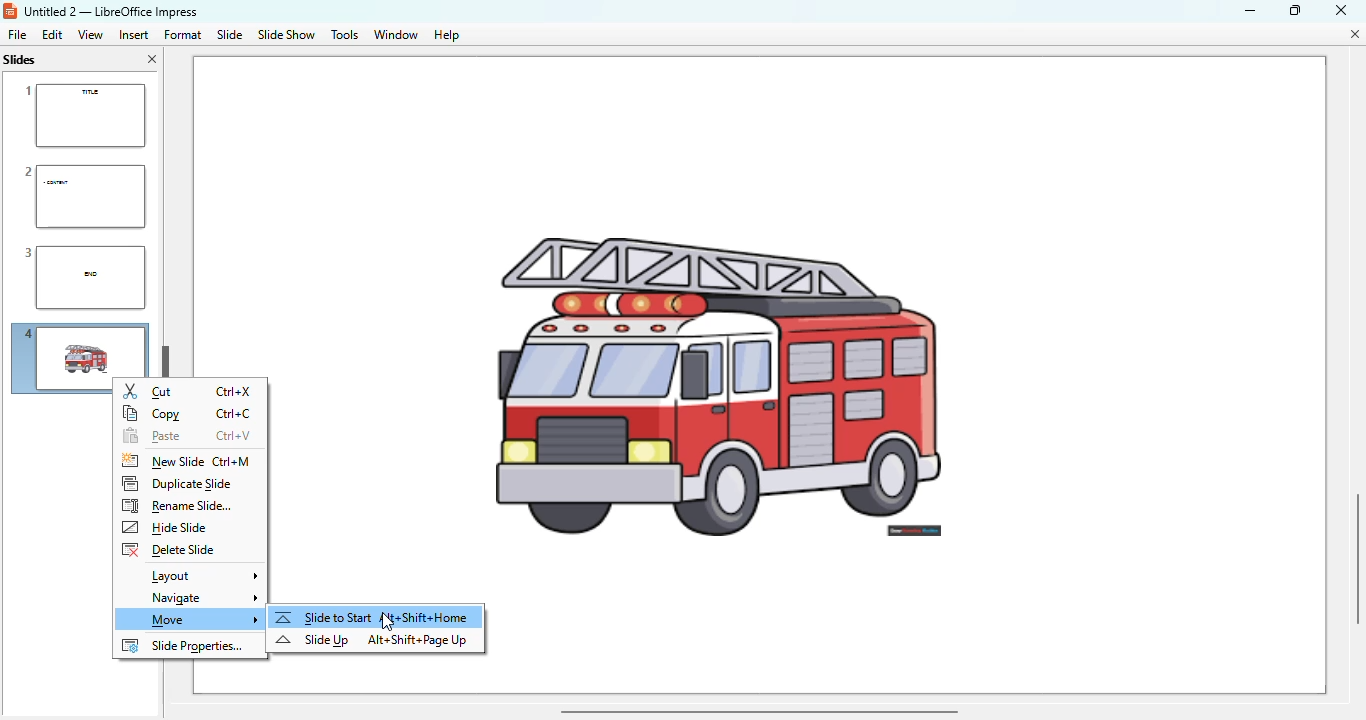  What do you see at coordinates (447, 36) in the screenshot?
I see `help` at bounding box center [447, 36].